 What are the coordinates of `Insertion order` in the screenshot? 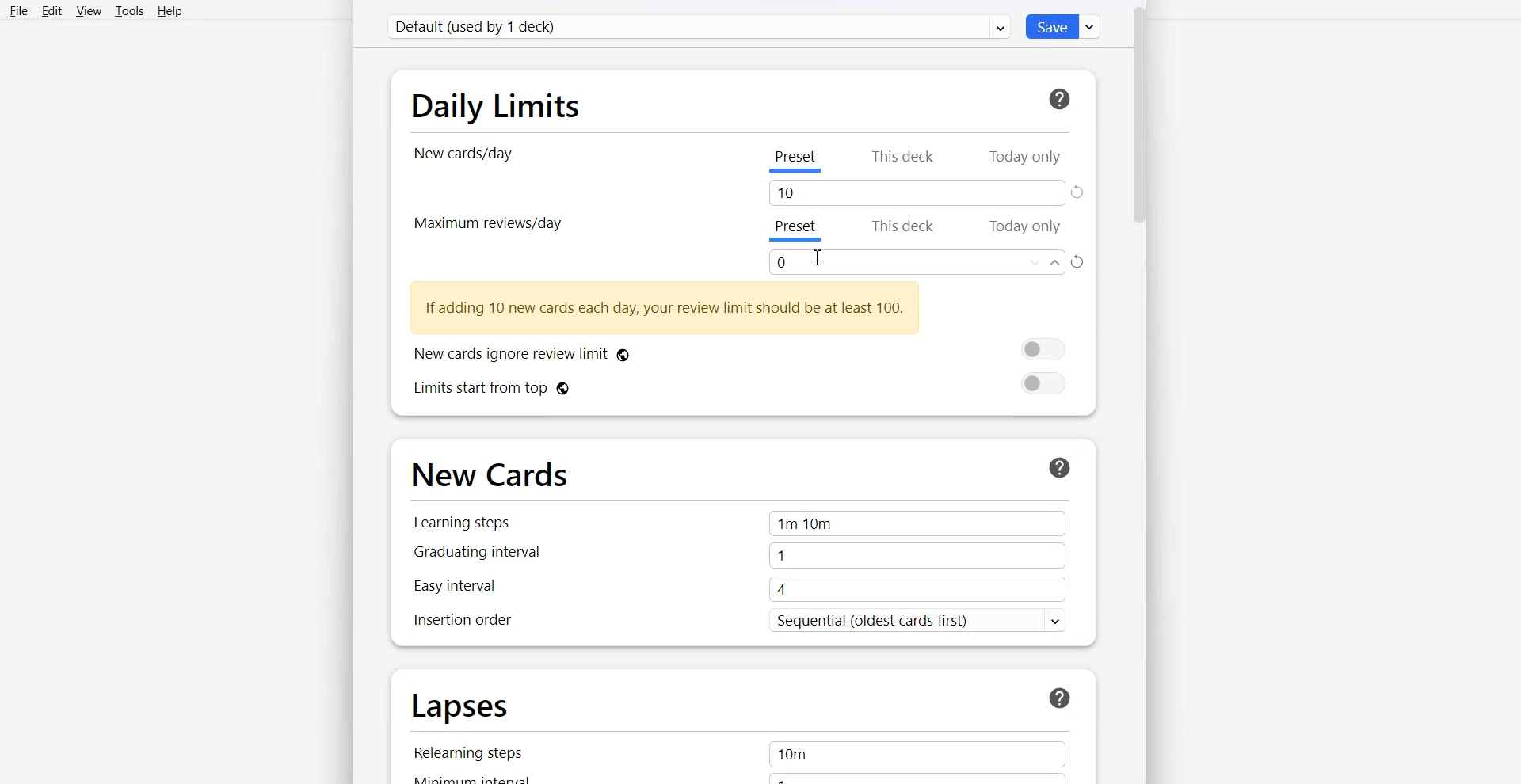 It's located at (736, 623).